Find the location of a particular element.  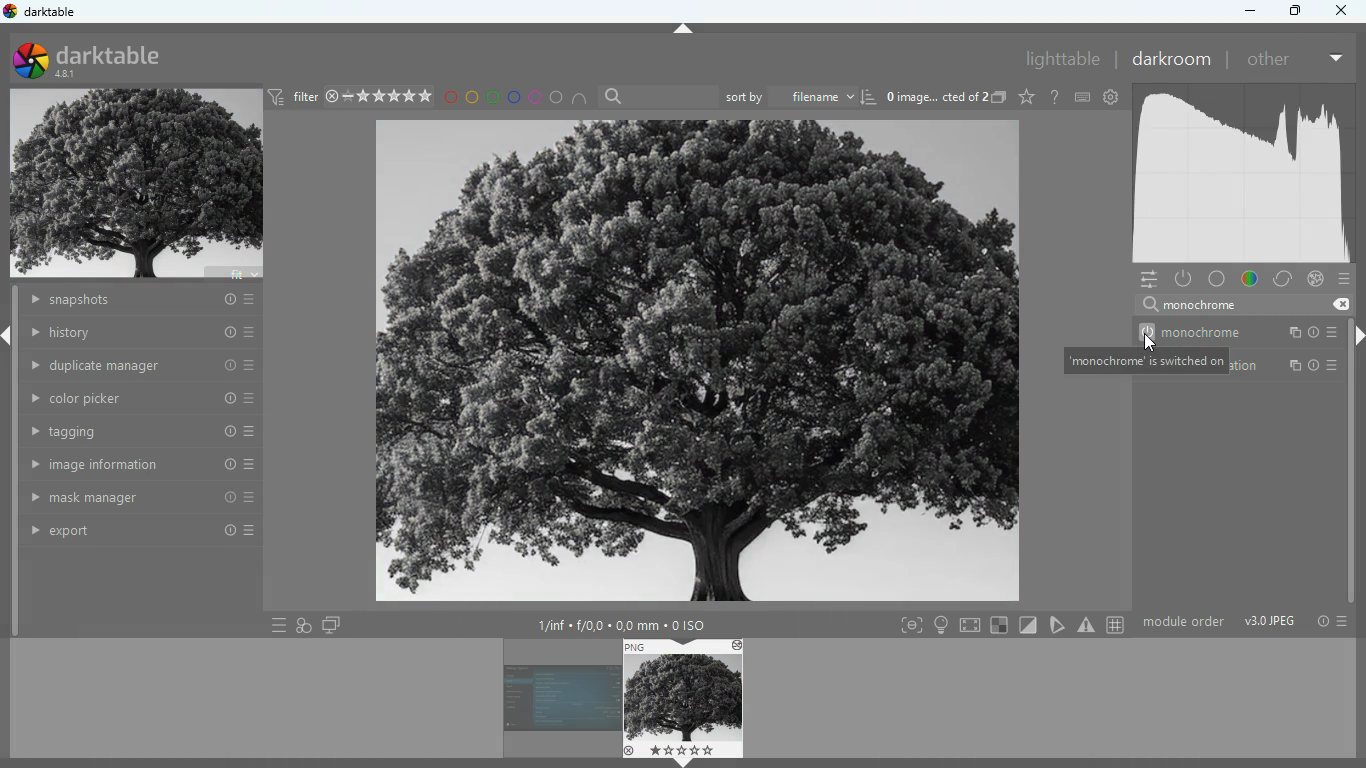

color picker is located at coordinates (143, 399).